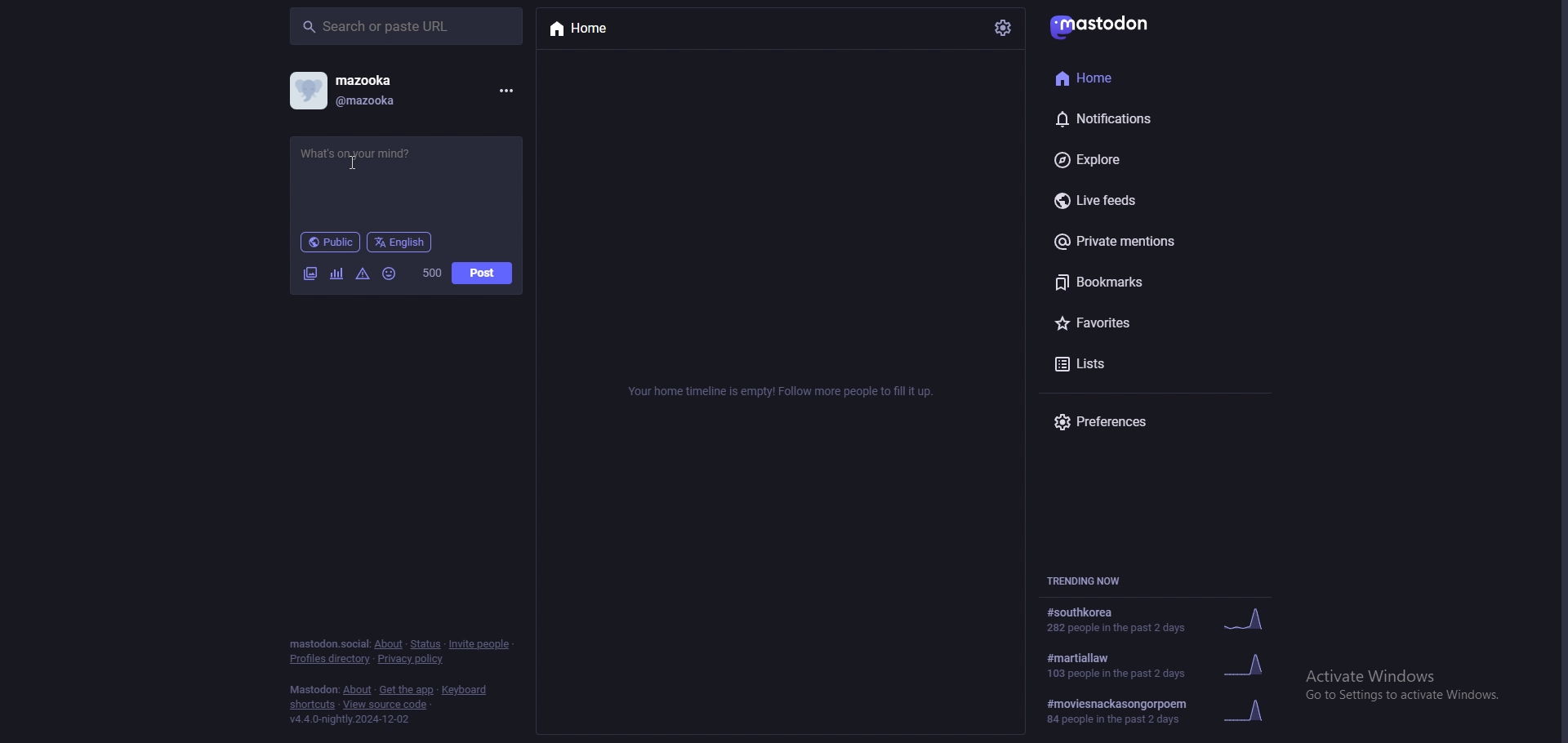  Describe the element at coordinates (432, 273) in the screenshot. I see `word limit` at that location.